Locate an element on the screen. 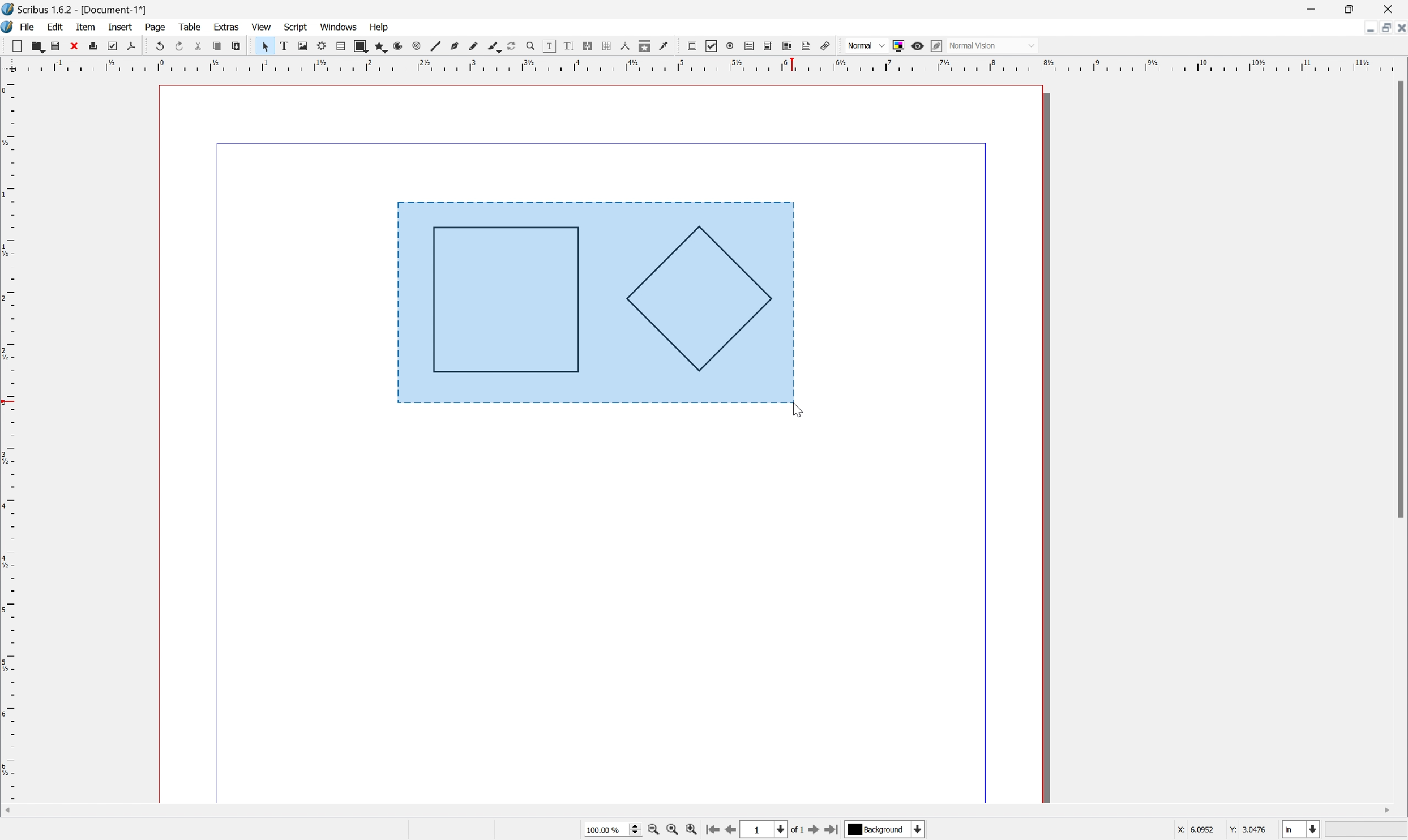 This screenshot has width=1408, height=840. Link annotation is located at coordinates (826, 46).